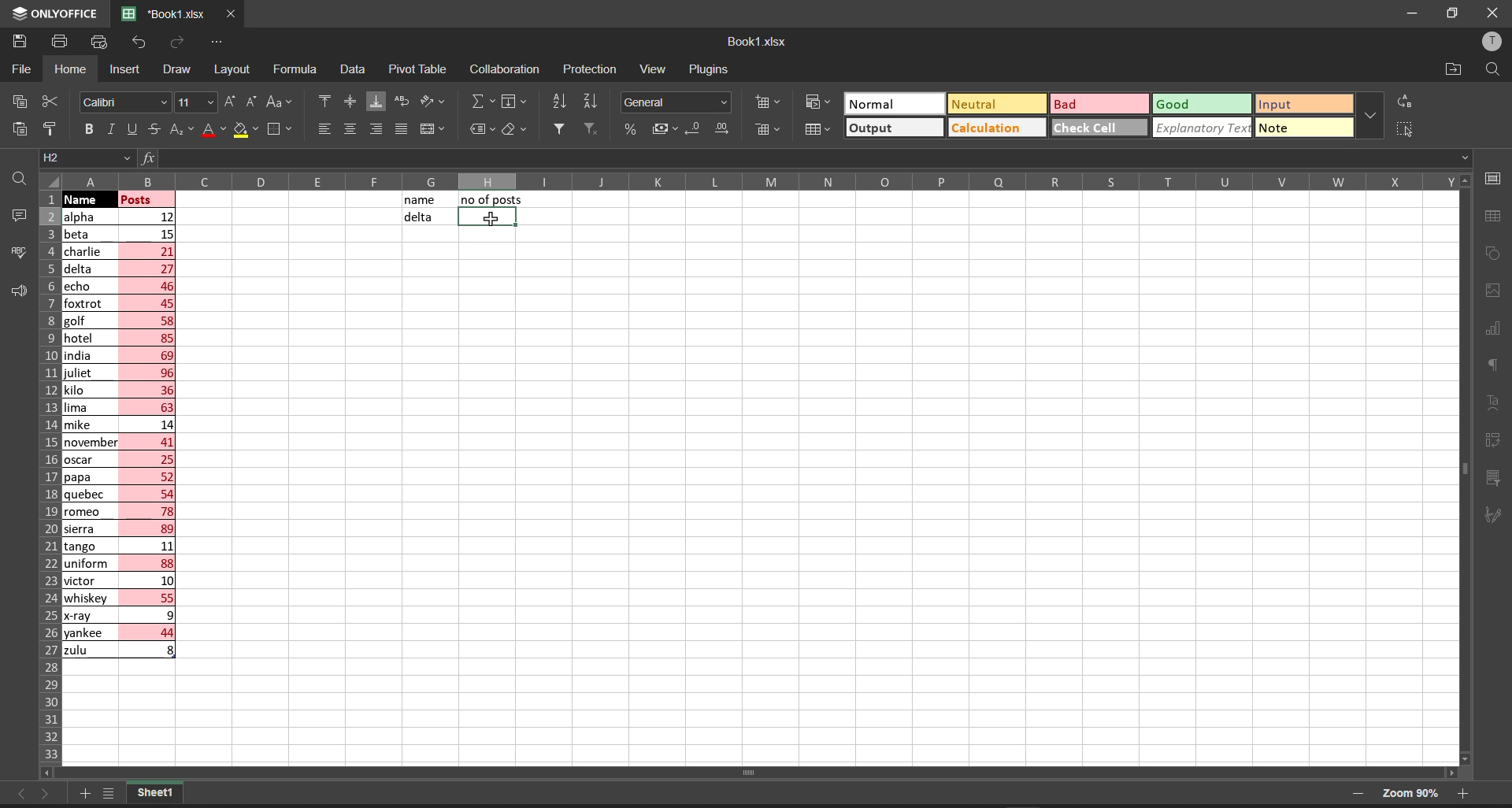 This screenshot has height=808, width=1512. Describe the element at coordinates (1356, 796) in the screenshot. I see `zoom out` at that location.